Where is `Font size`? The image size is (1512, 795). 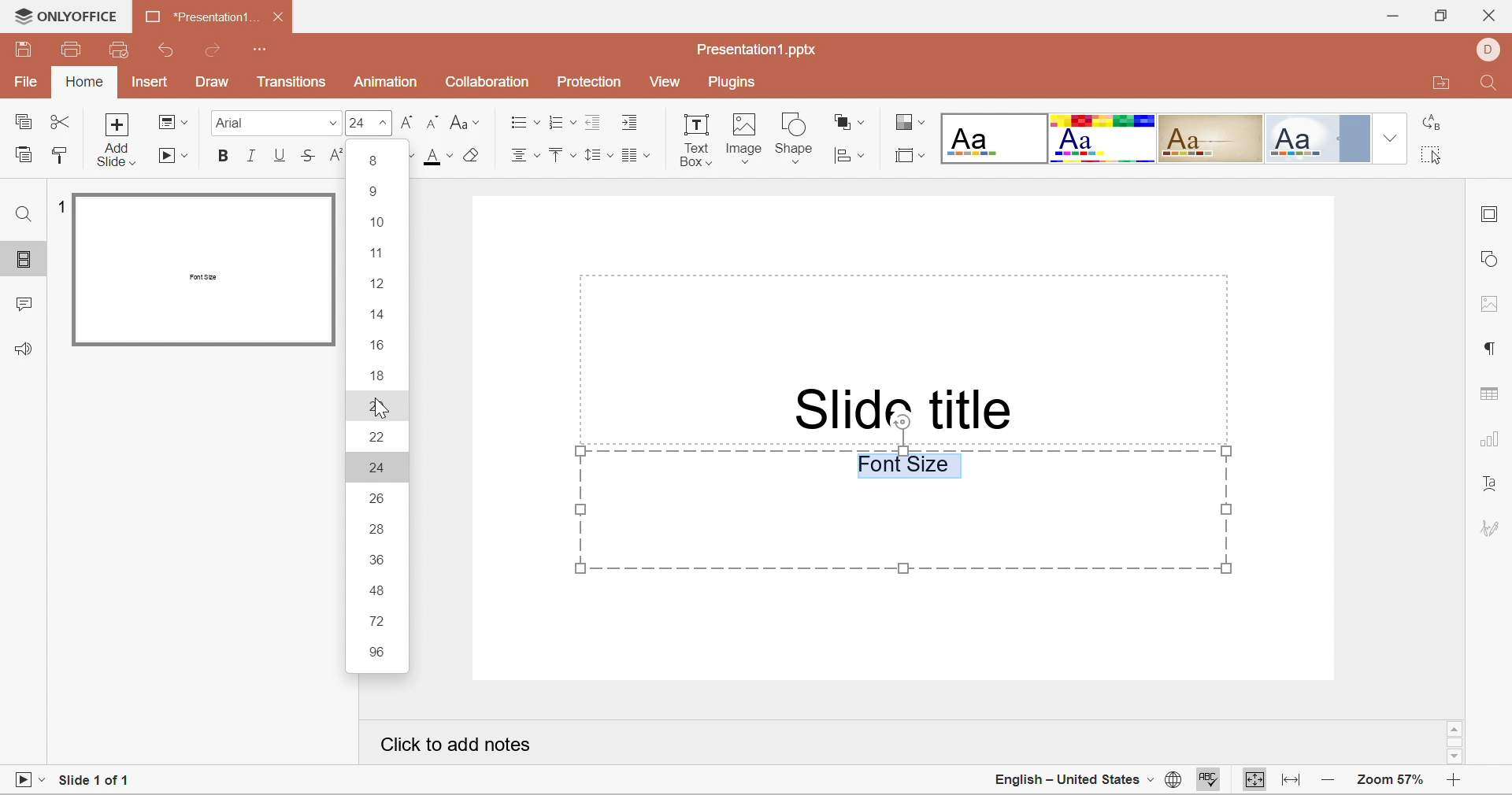
Font size is located at coordinates (452, 153).